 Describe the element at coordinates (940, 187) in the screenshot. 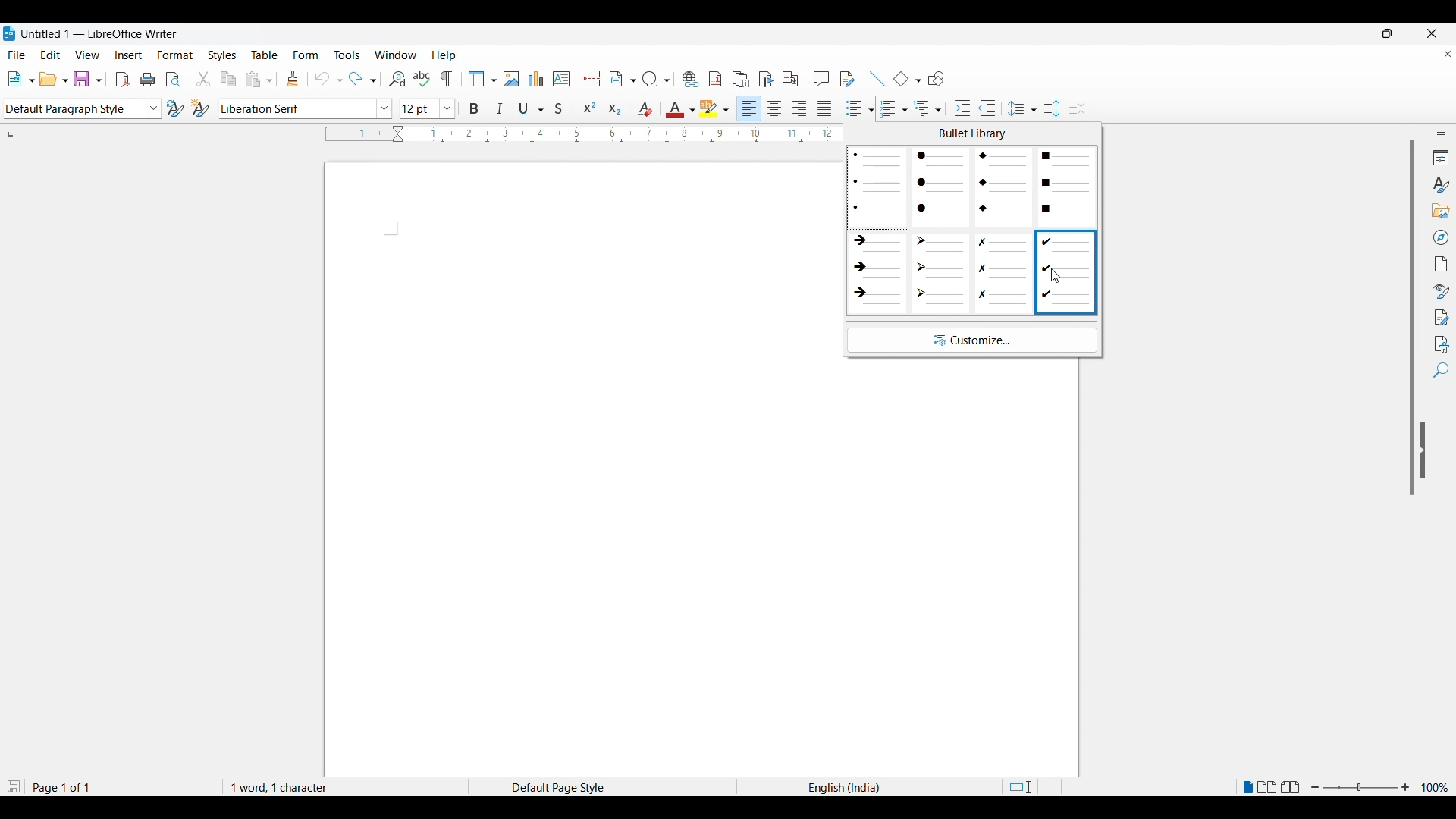

I see `Circle unordered bullets` at that location.